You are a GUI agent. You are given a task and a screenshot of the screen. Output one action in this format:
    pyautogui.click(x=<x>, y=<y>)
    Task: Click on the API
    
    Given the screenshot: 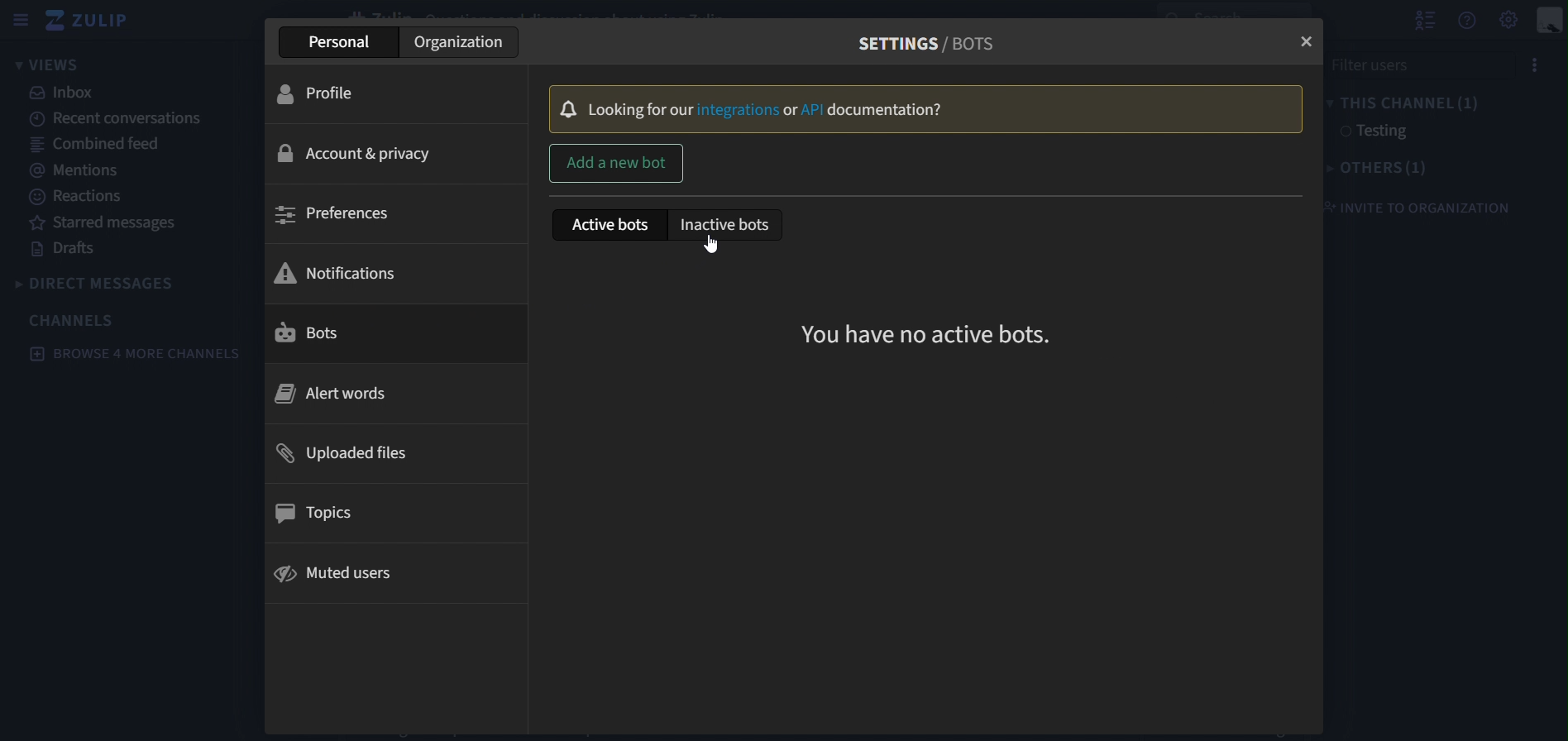 What is the action you would take?
    pyautogui.click(x=814, y=110)
    